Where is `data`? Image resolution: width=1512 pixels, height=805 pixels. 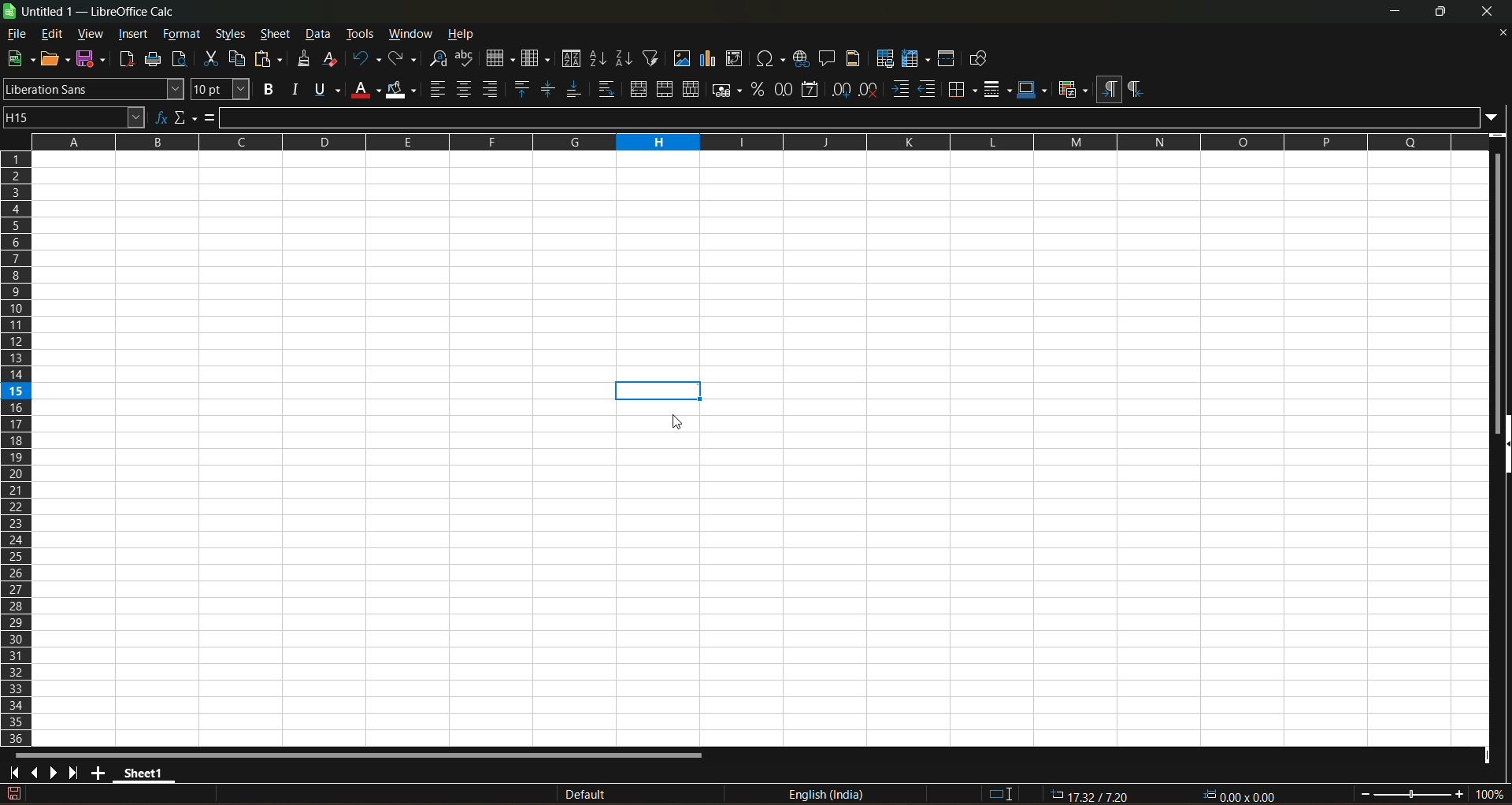 data is located at coordinates (320, 35).